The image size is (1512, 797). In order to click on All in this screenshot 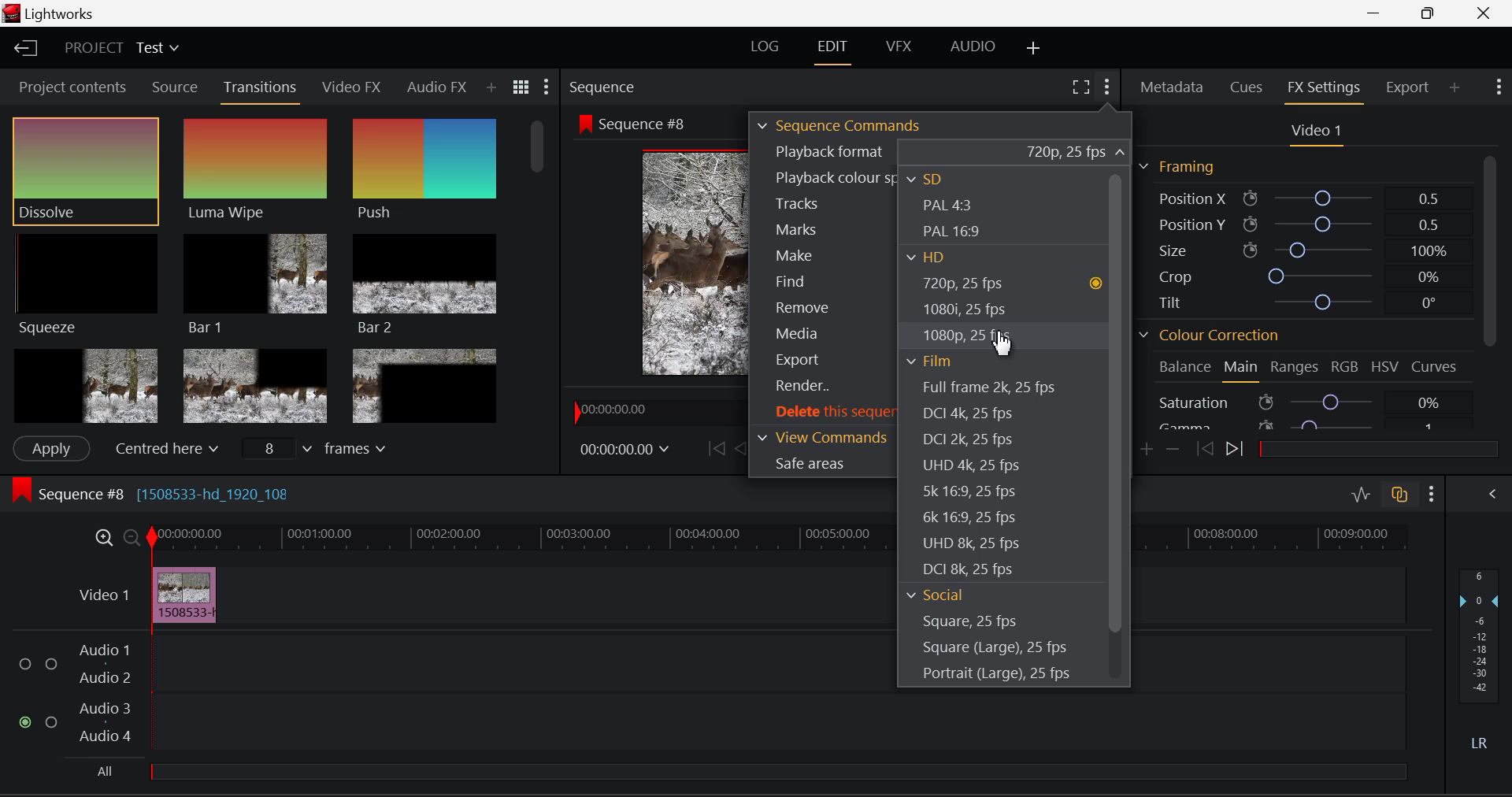, I will do `click(108, 767)`.